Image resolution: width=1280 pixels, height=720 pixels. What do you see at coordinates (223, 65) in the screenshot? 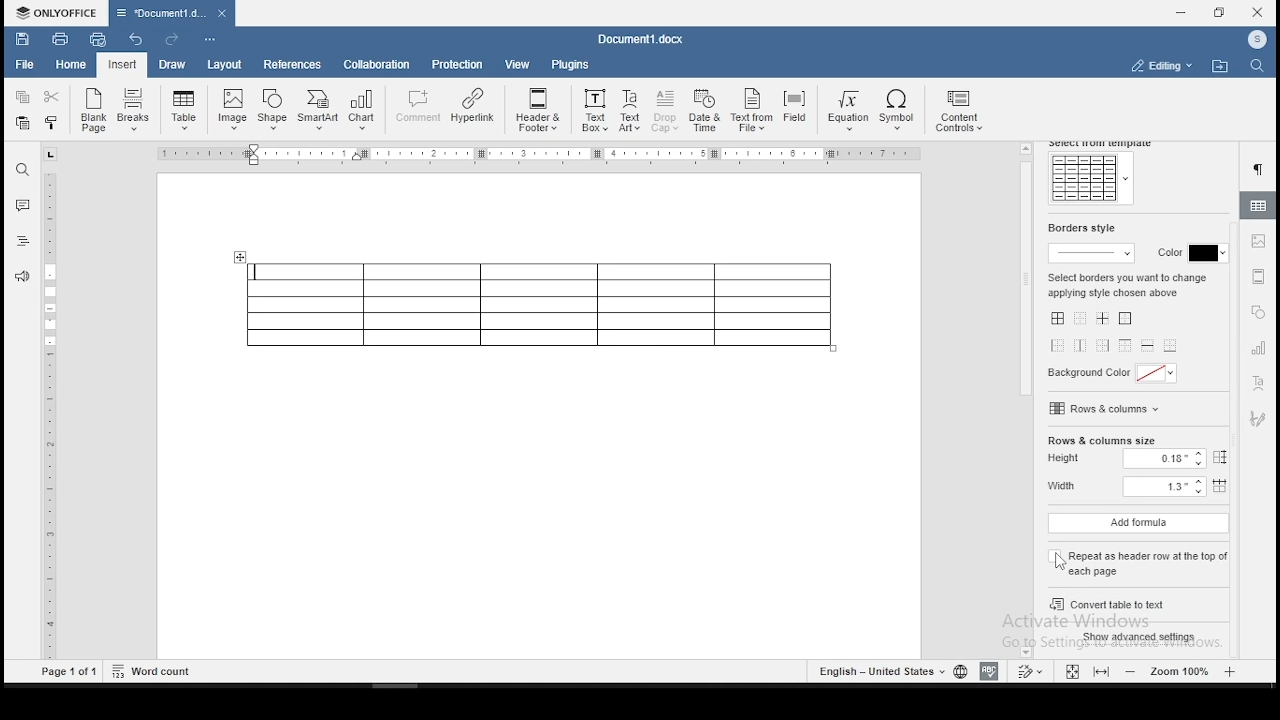
I see `layout` at bounding box center [223, 65].